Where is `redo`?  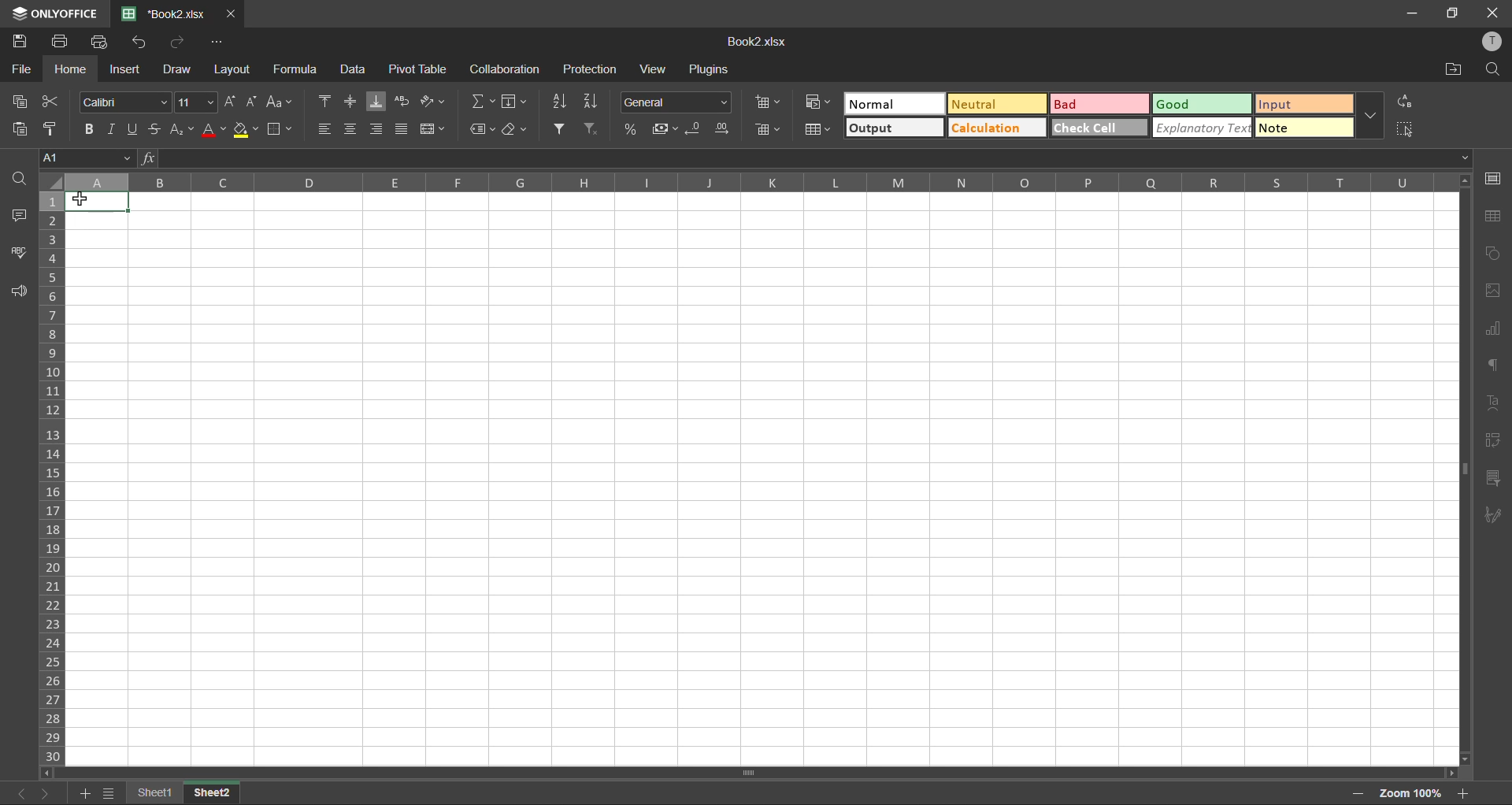 redo is located at coordinates (178, 43).